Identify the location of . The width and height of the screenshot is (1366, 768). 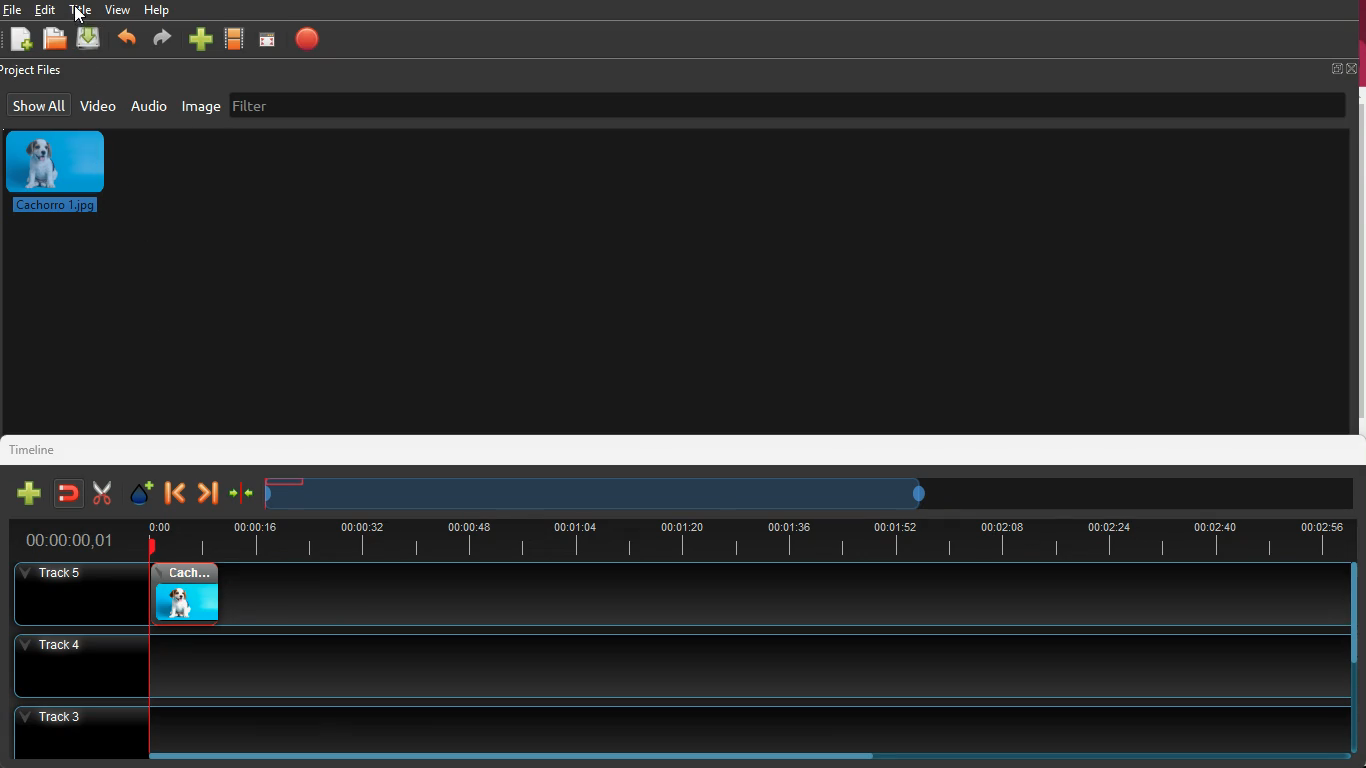
(71, 541).